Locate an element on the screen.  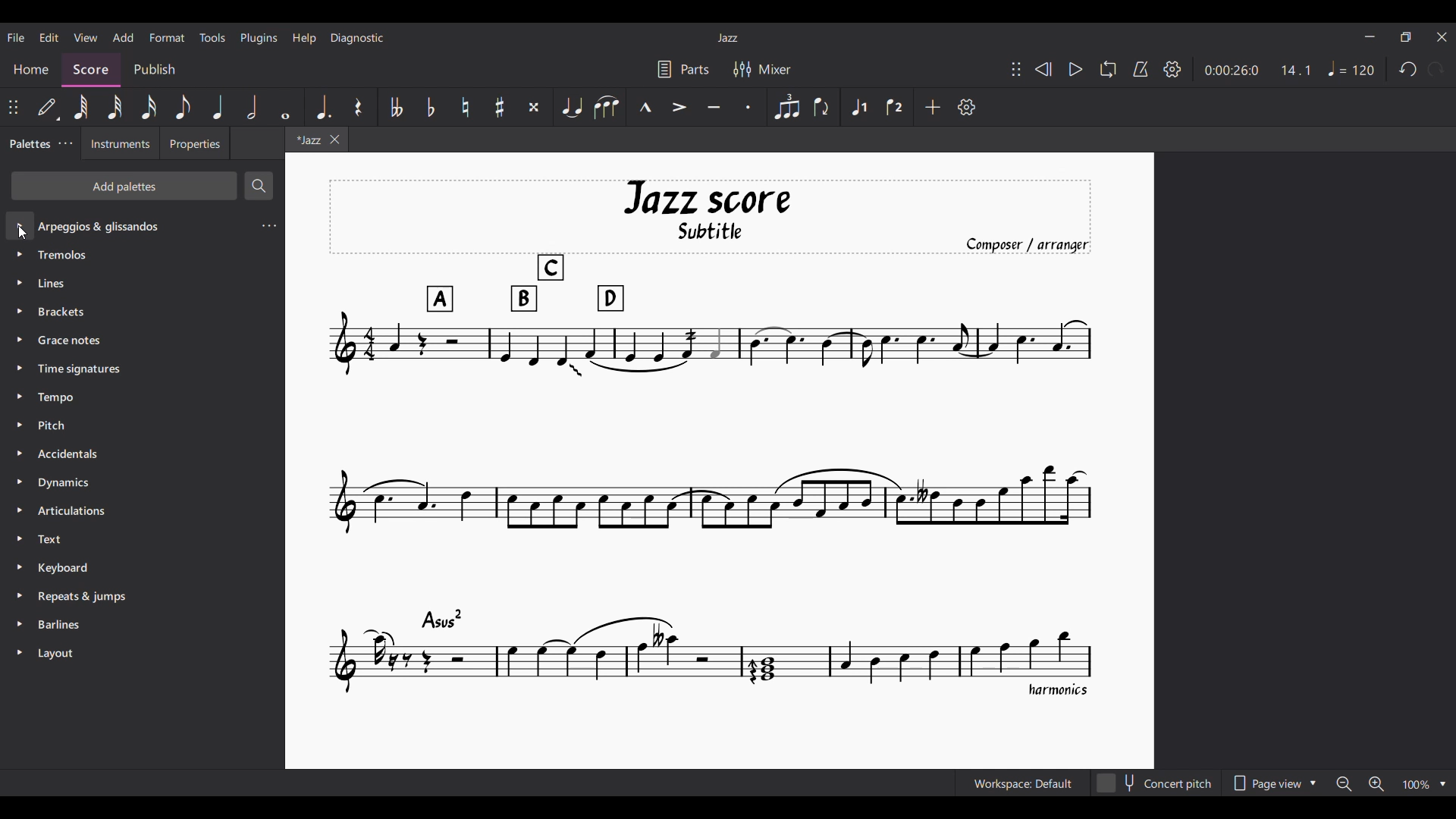
Setting of current palette selected is located at coordinates (268, 226).